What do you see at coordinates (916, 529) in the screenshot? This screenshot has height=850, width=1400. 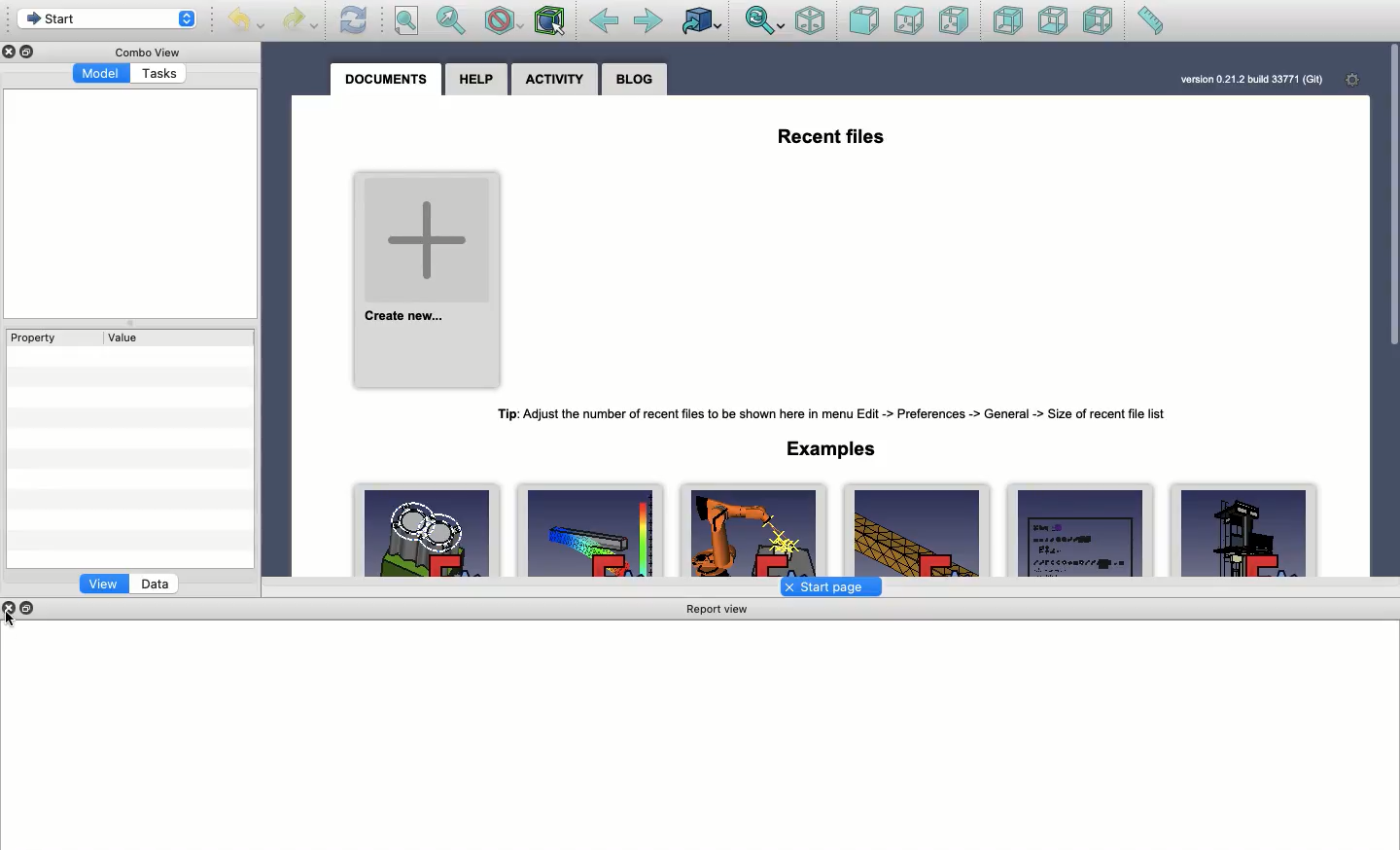 I see `FemCalculixCantile ver3D_newSolver.FCStd 158Kb` at bounding box center [916, 529].